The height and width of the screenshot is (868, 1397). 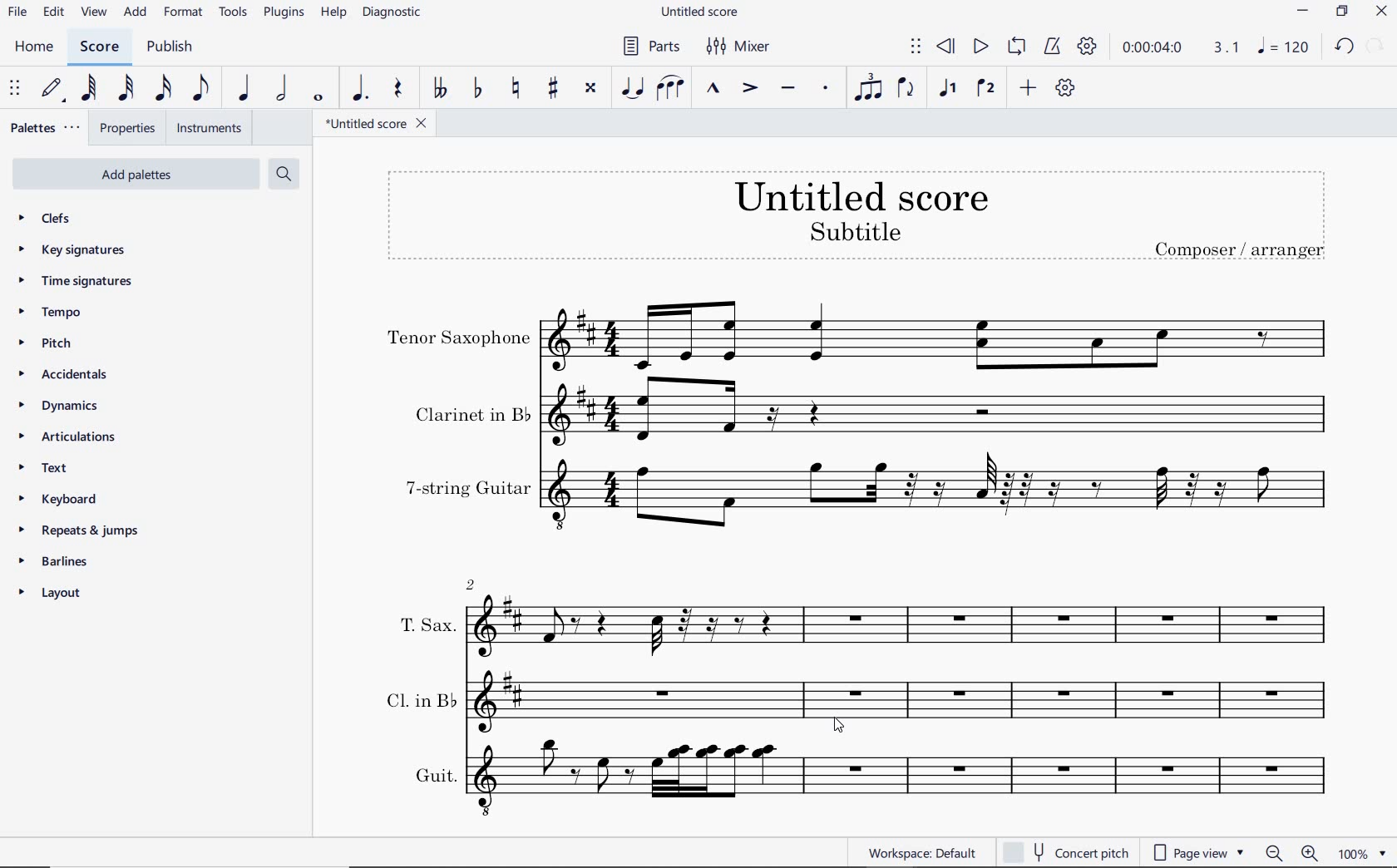 I want to click on ACCENT, so click(x=749, y=86).